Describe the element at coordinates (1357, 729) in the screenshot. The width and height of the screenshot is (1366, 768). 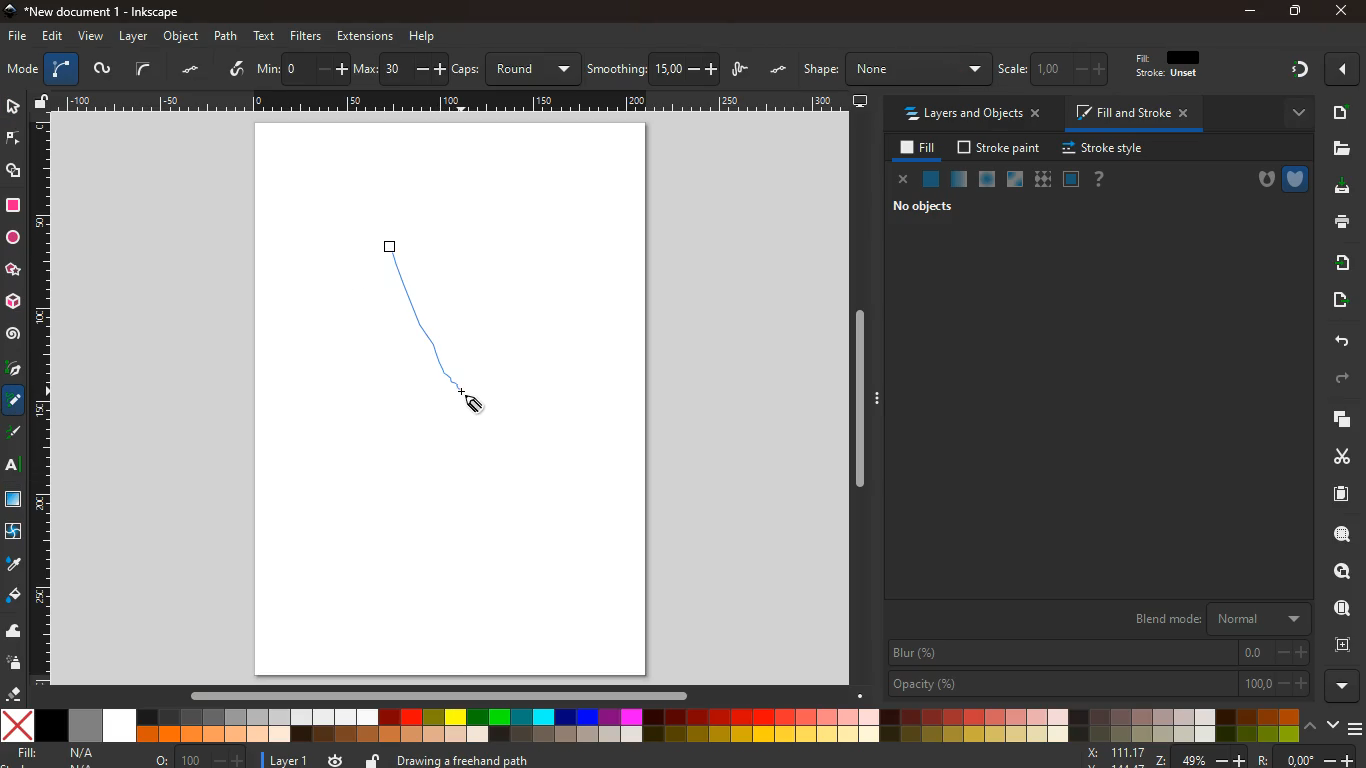
I see `menu` at that location.